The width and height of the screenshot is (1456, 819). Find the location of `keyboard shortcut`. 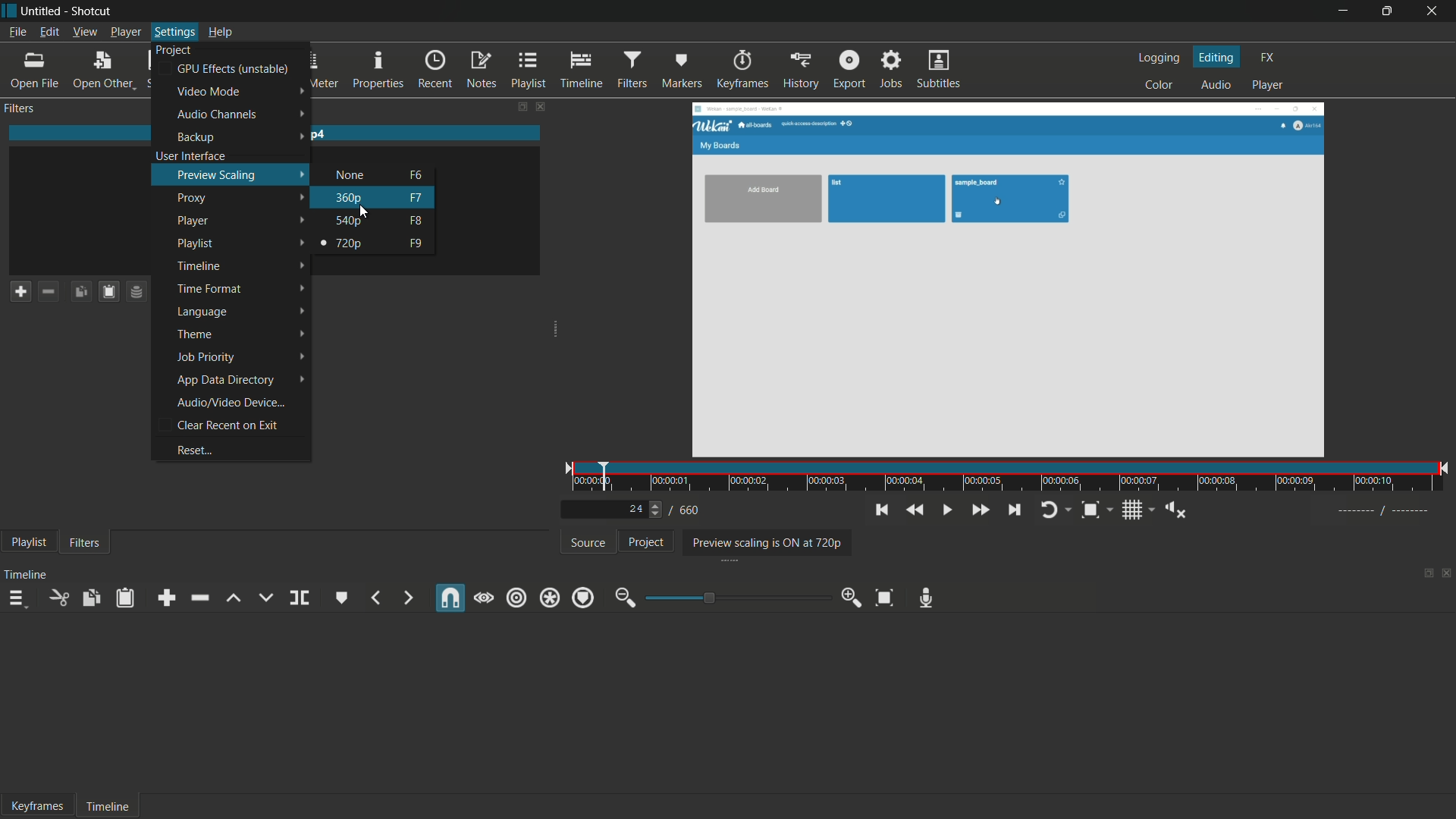

keyboard shortcut is located at coordinates (416, 244).